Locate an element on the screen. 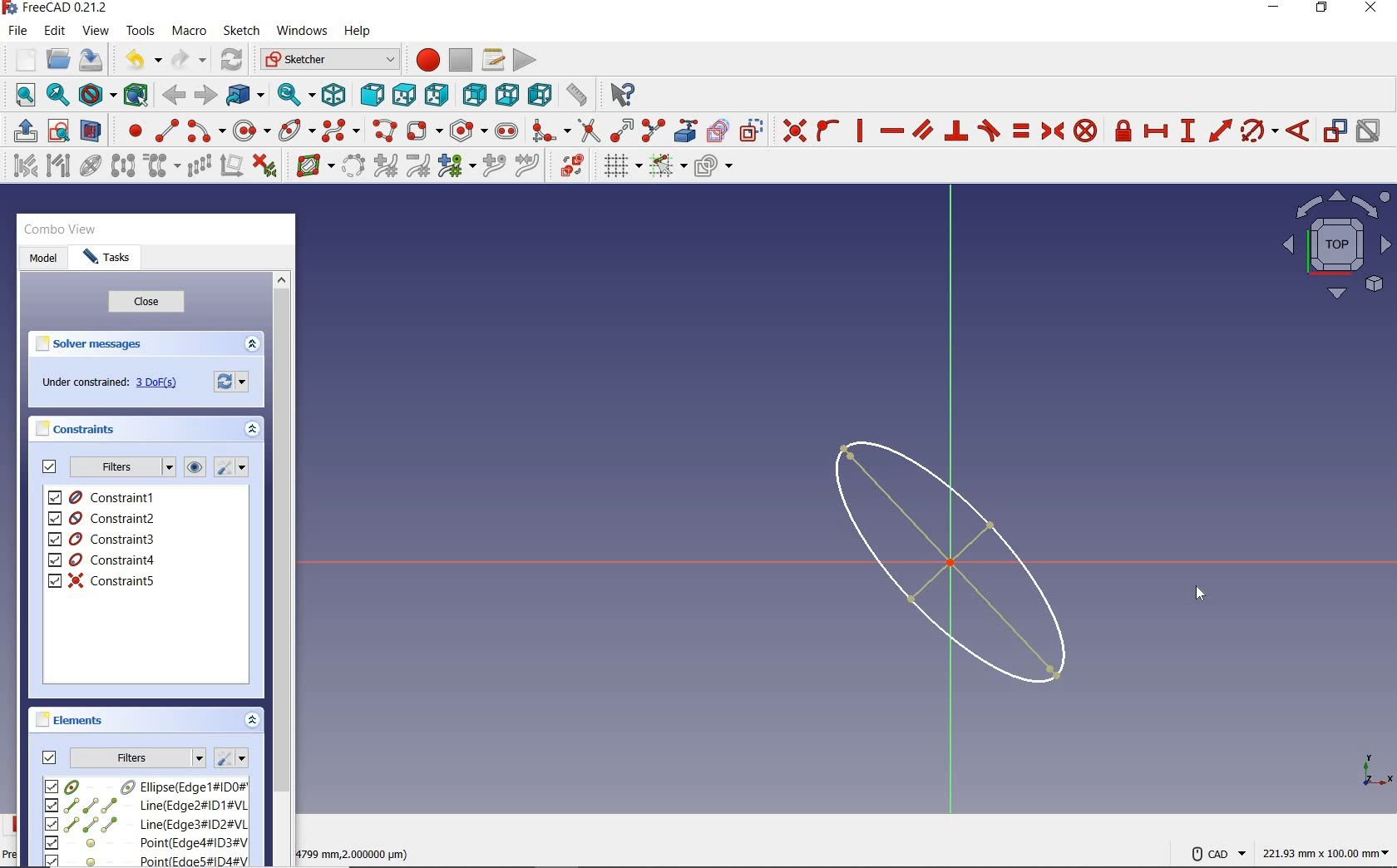 This screenshot has height=868, width=1397. view sketch is located at coordinates (60, 129).